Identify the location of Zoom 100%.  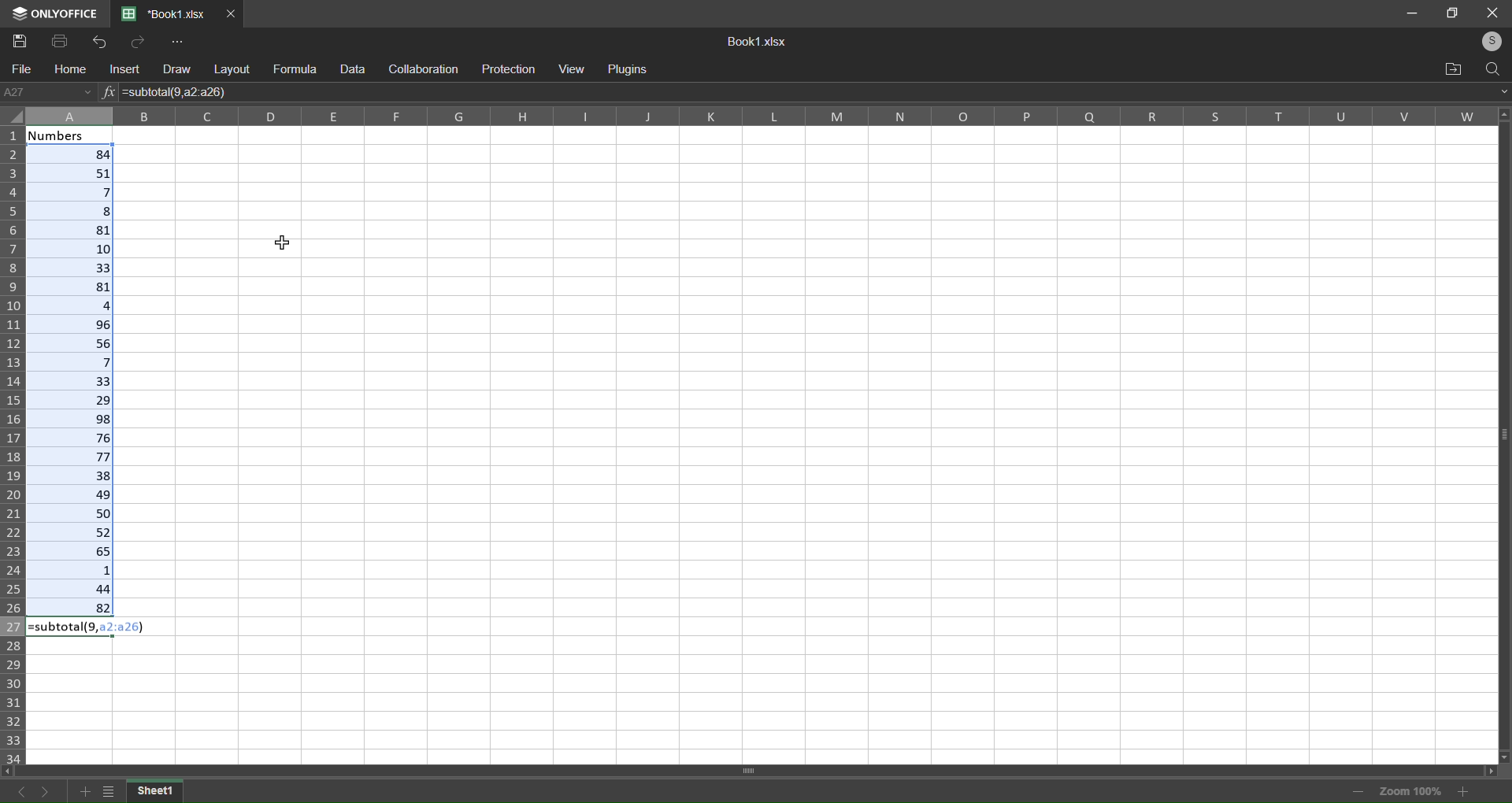
(1410, 790).